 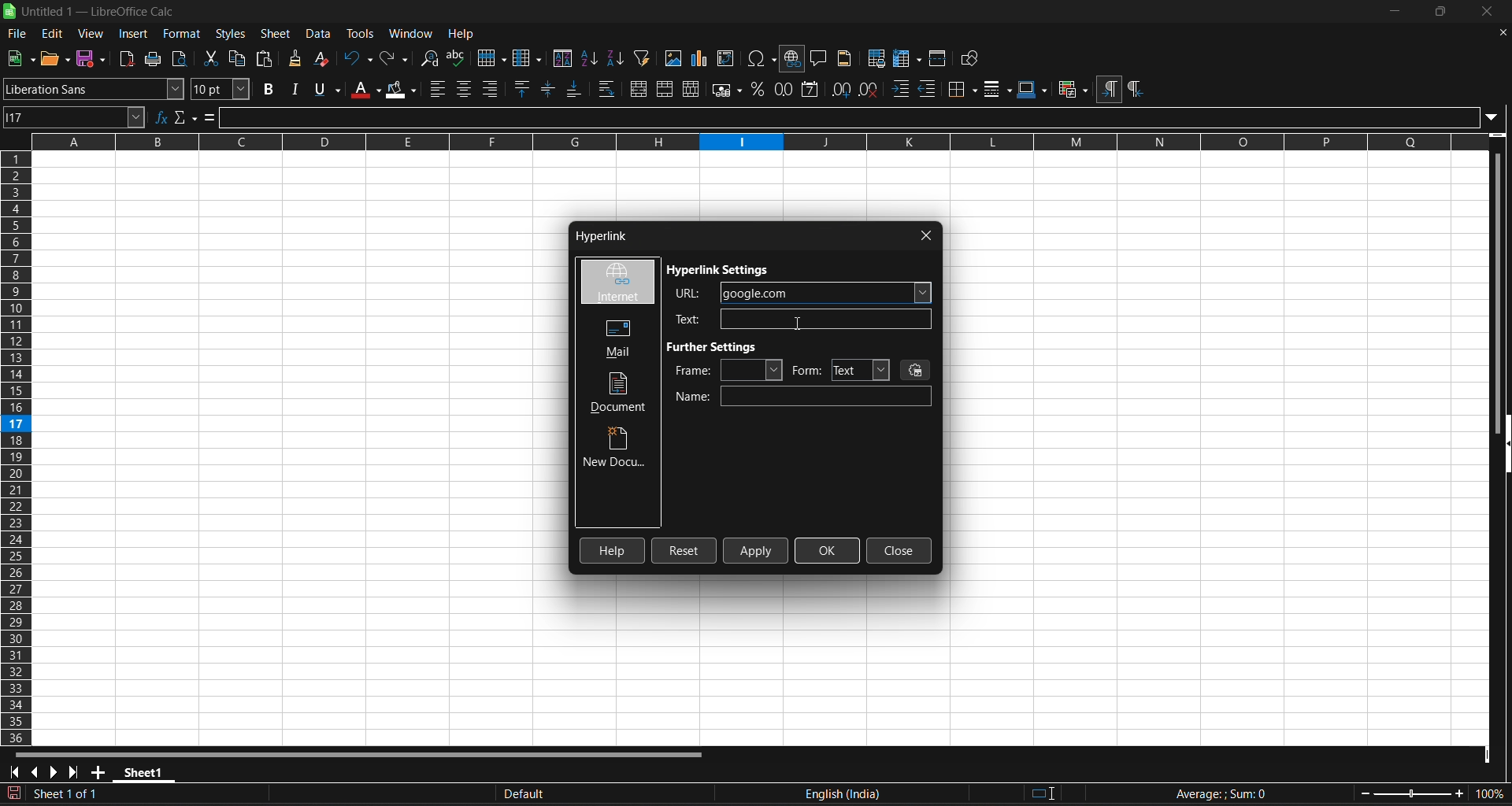 I want to click on insert special charaters, so click(x=760, y=58).